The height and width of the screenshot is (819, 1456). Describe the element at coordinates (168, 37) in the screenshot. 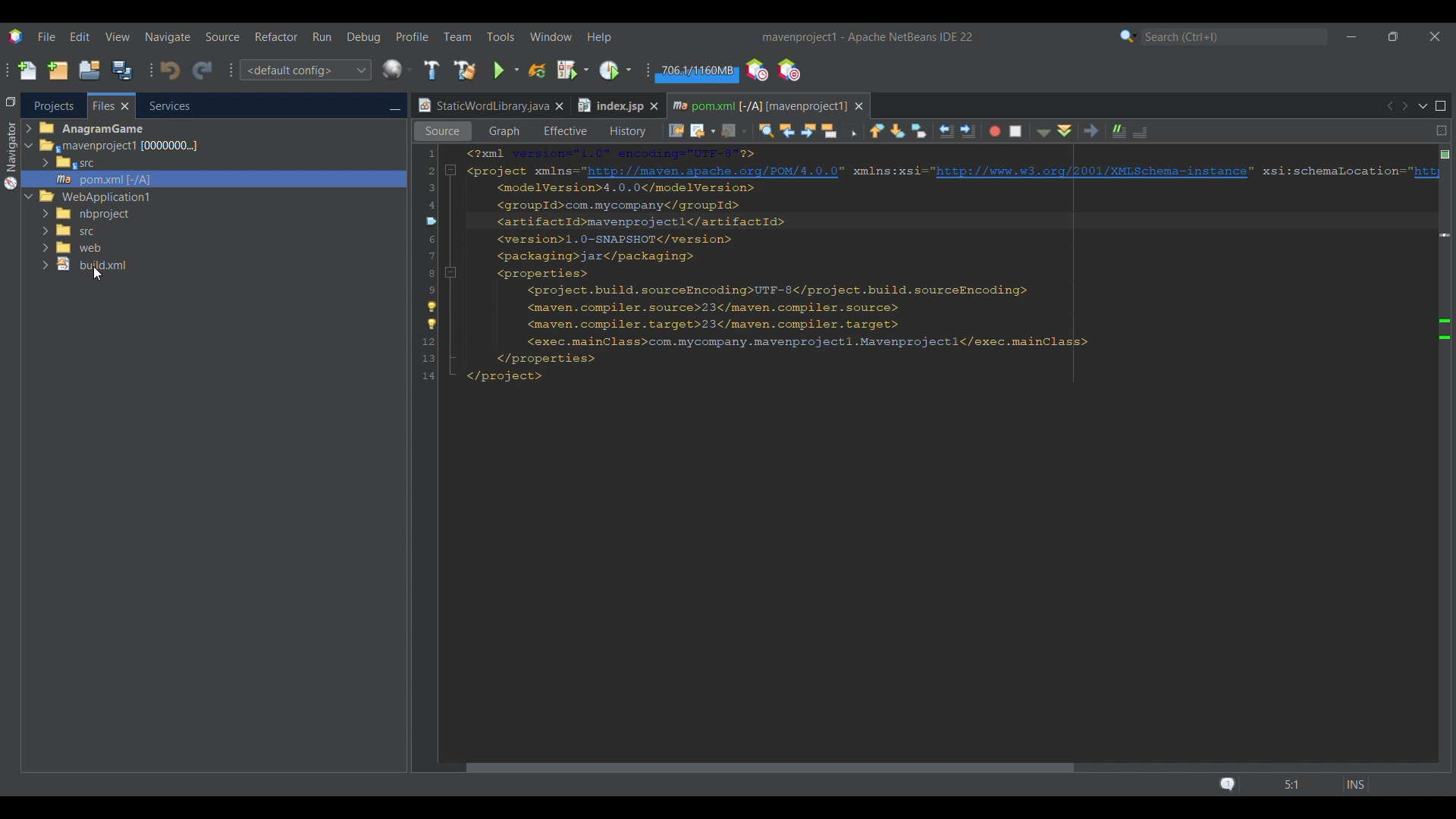

I see `Navigate menu` at that location.